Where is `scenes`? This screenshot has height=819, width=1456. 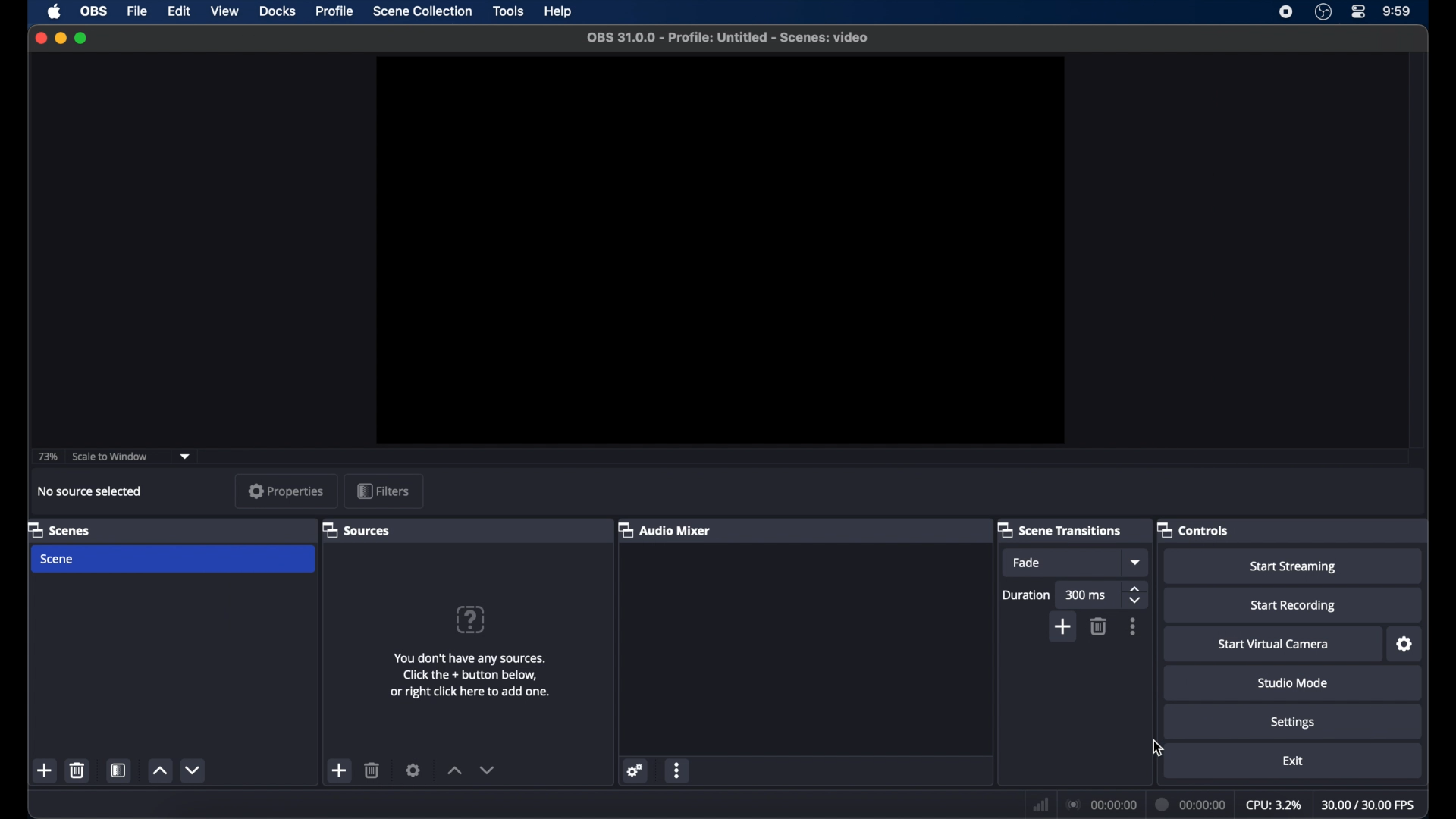 scenes is located at coordinates (59, 529).